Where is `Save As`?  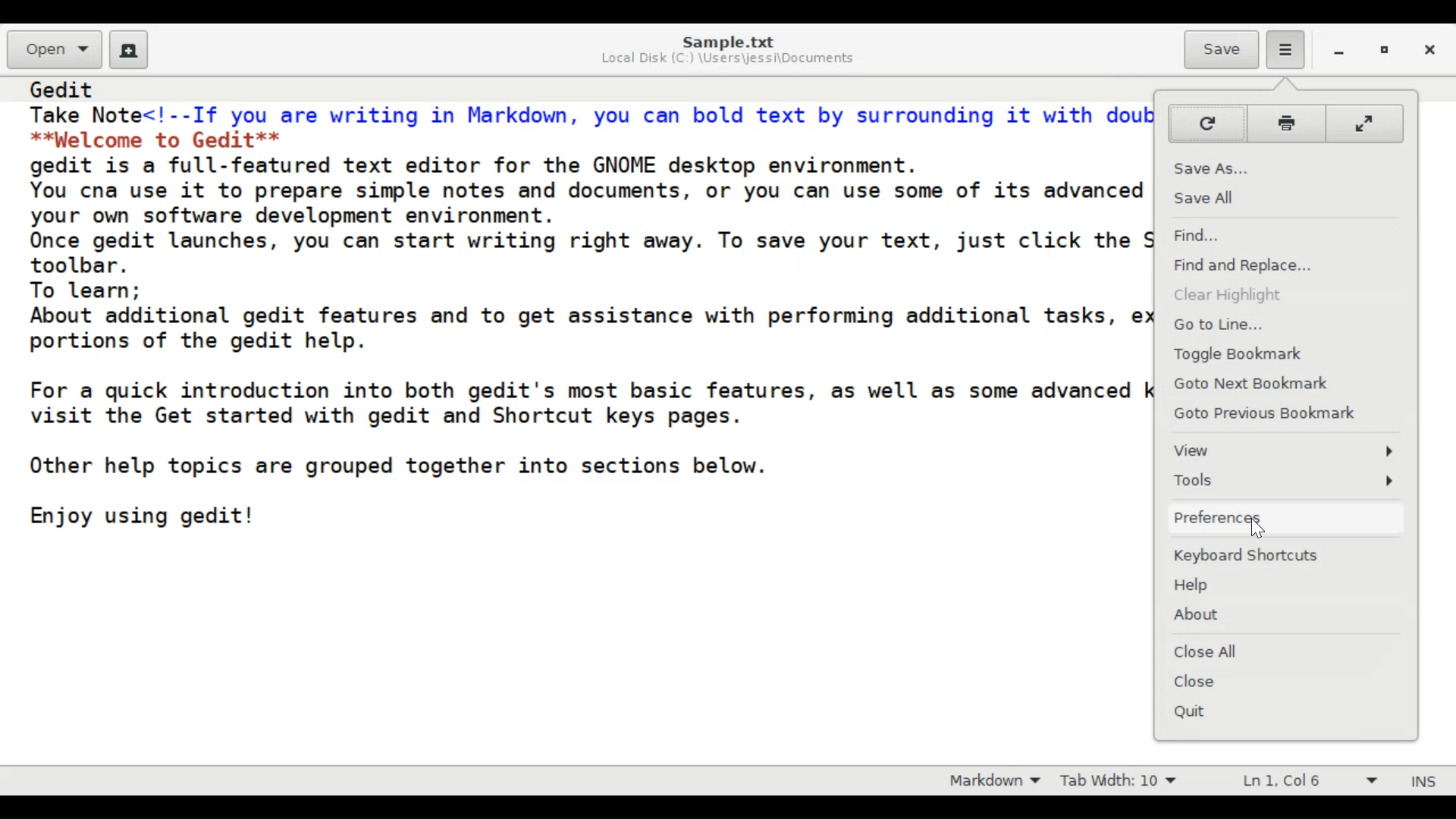 Save As is located at coordinates (1219, 168).